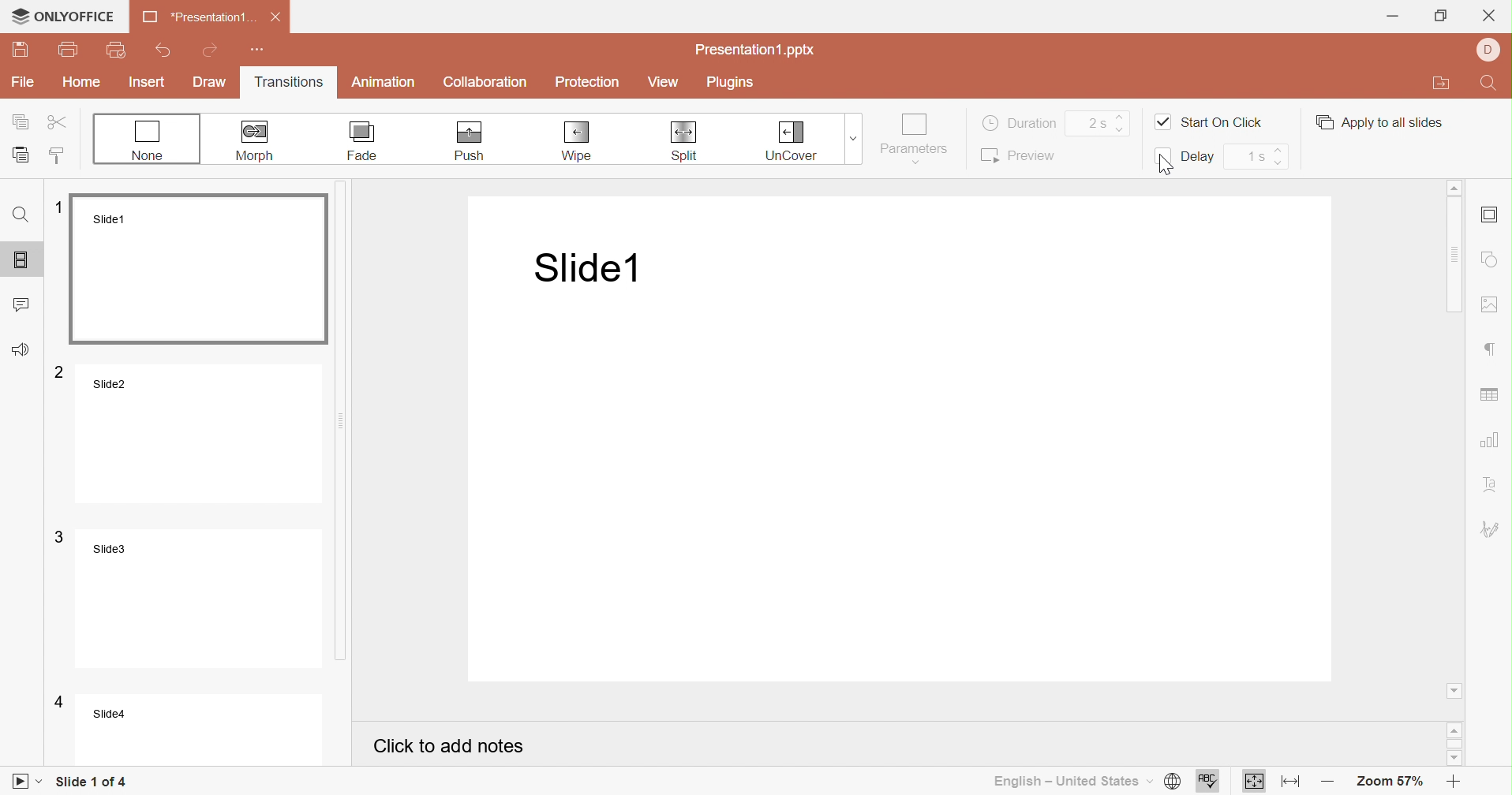 The image size is (1512, 795). Describe the element at coordinates (202, 431) in the screenshot. I see `Slide2` at that location.